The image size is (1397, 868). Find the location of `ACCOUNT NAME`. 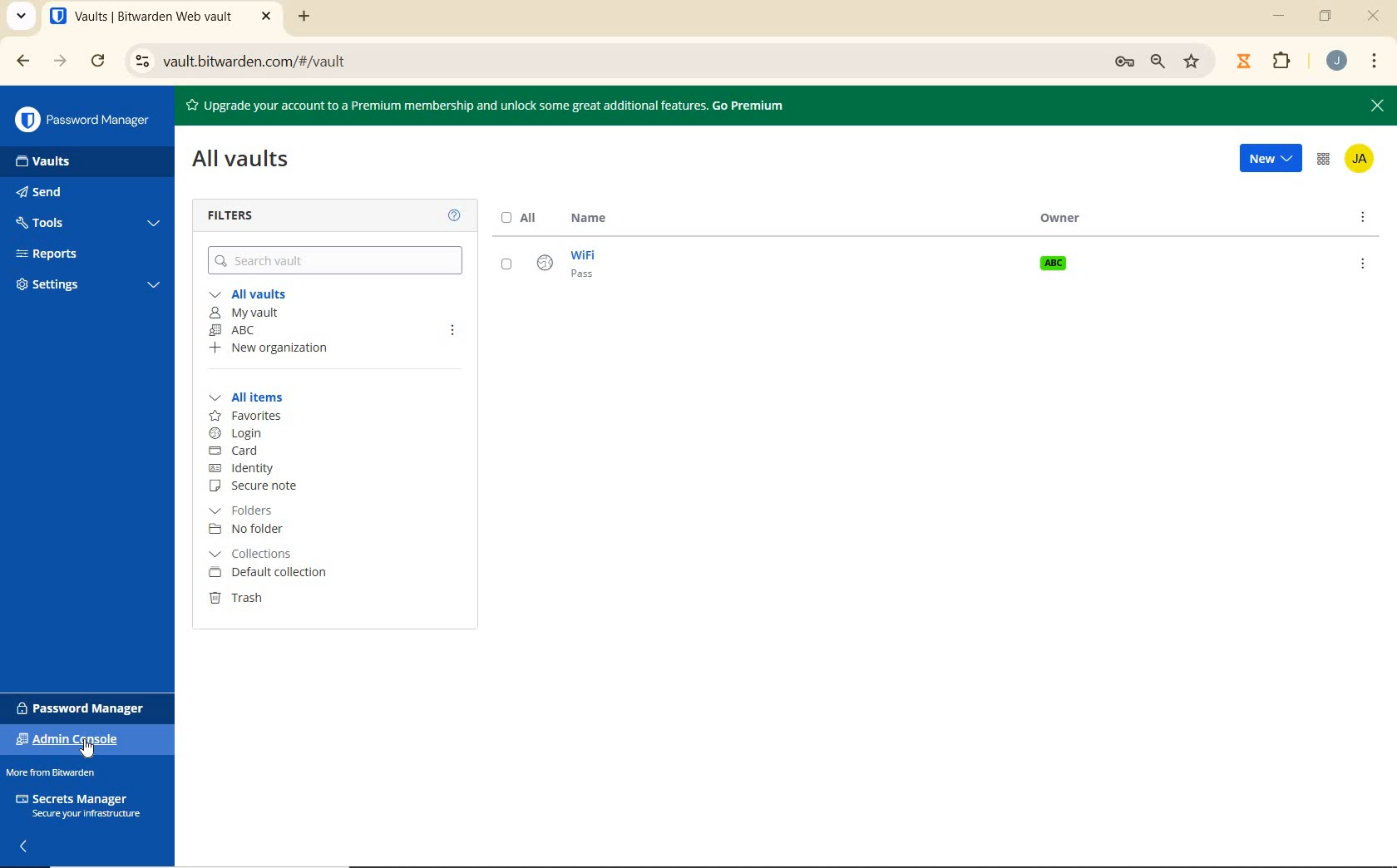

ACCOUNT NAME is located at coordinates (1362, 160).